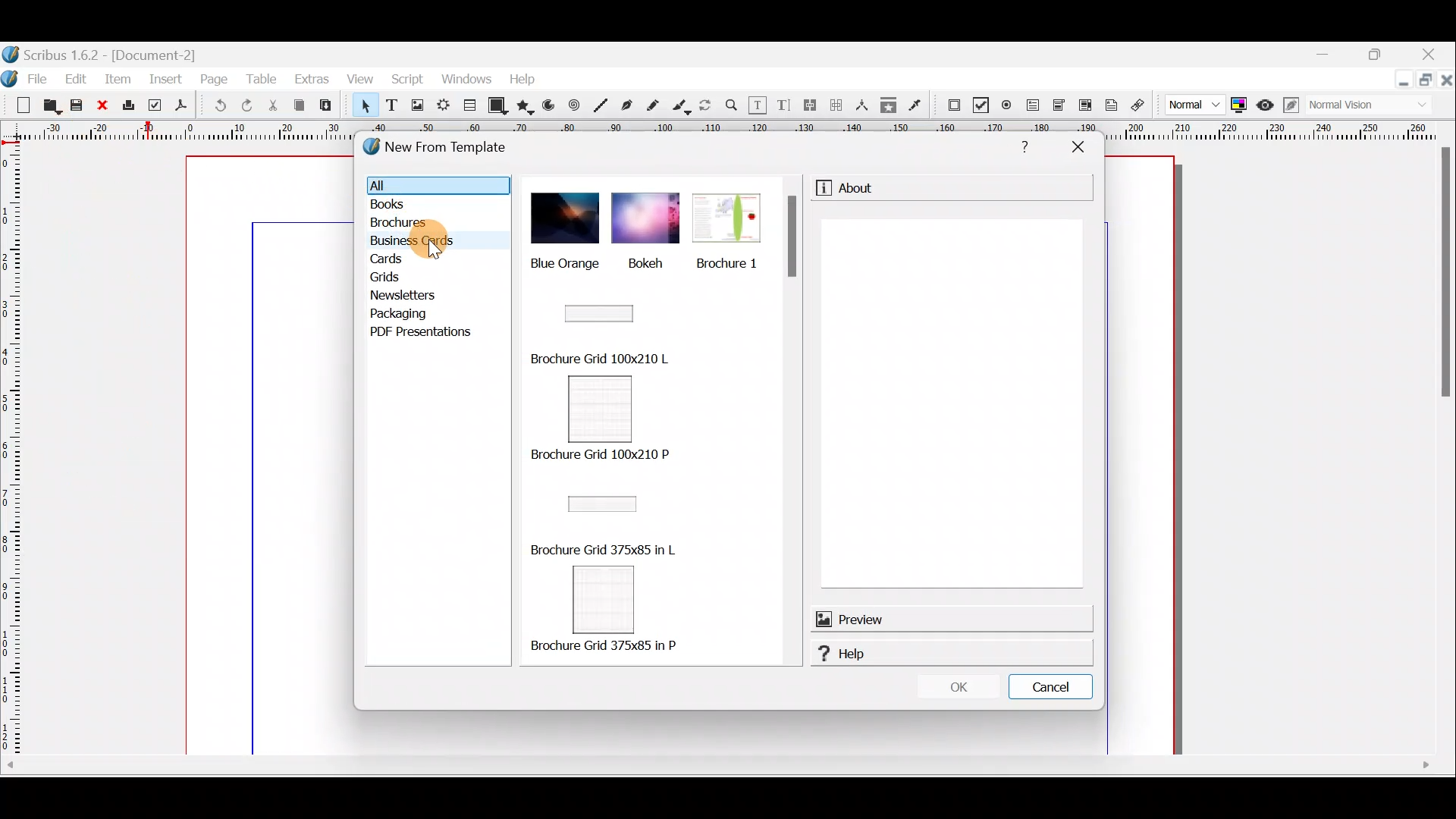 The height and width of the screenshot is (819, 1456). Describe the element at coordinates (402, 262) in the screenshot. I see `Cards` at that location.